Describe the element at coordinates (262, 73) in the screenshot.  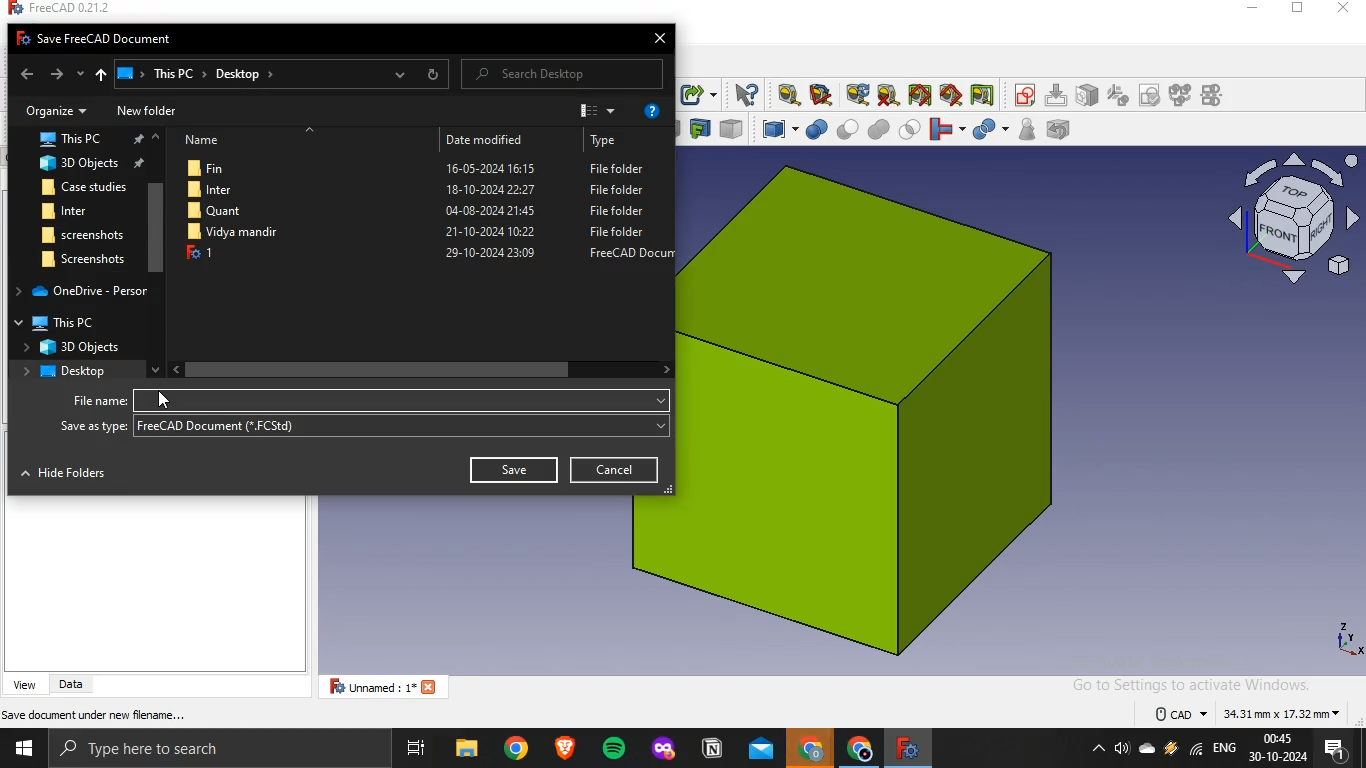
I see `ThisPC > Desktop »` at that location.